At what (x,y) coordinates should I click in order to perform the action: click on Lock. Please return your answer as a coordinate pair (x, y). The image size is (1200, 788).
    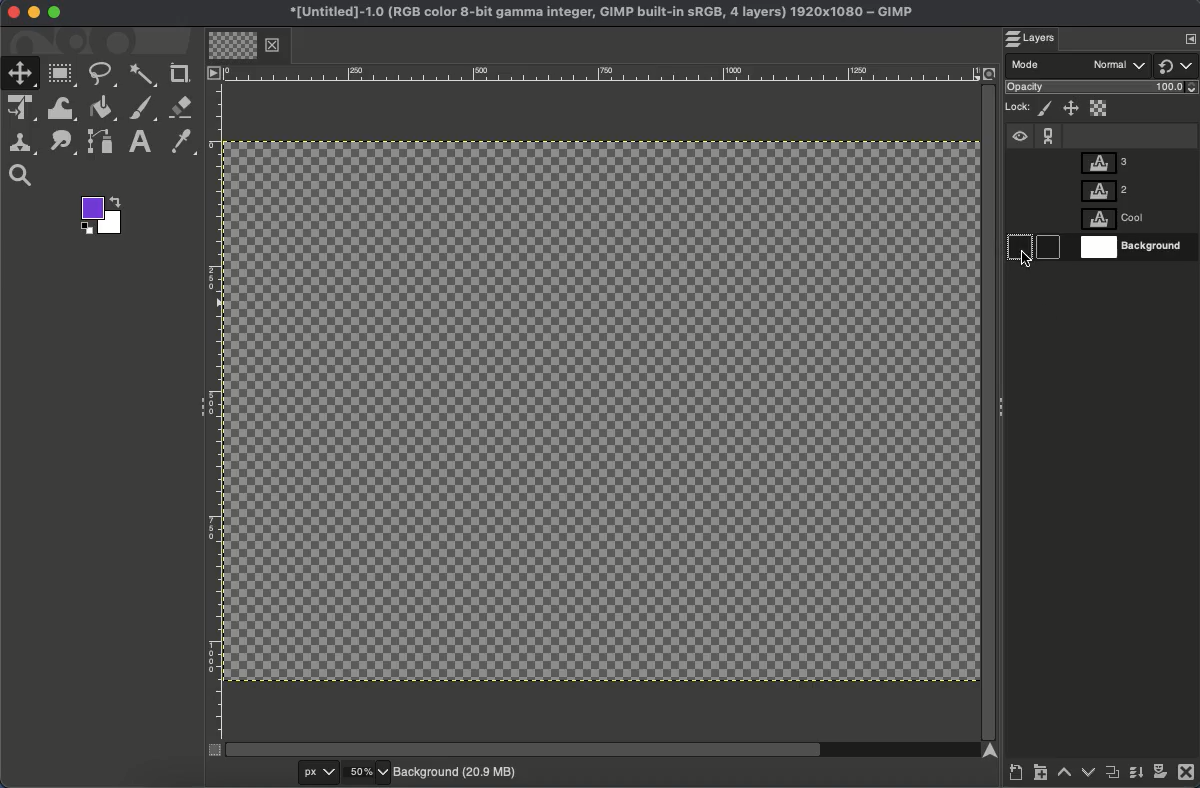
    Looking at the image, I should click on (1019, 105).